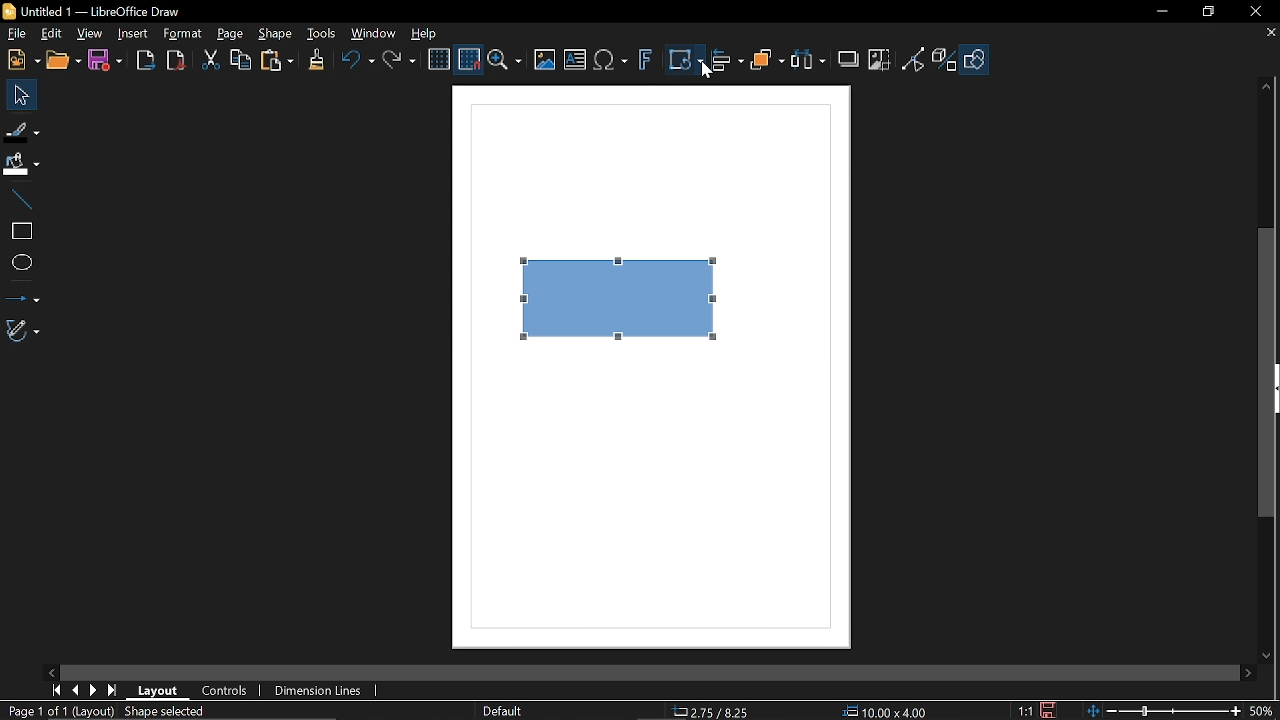 The height and width of the screenshot is (720, 1280). I want to click on Export as pdf, so click(175, 61).